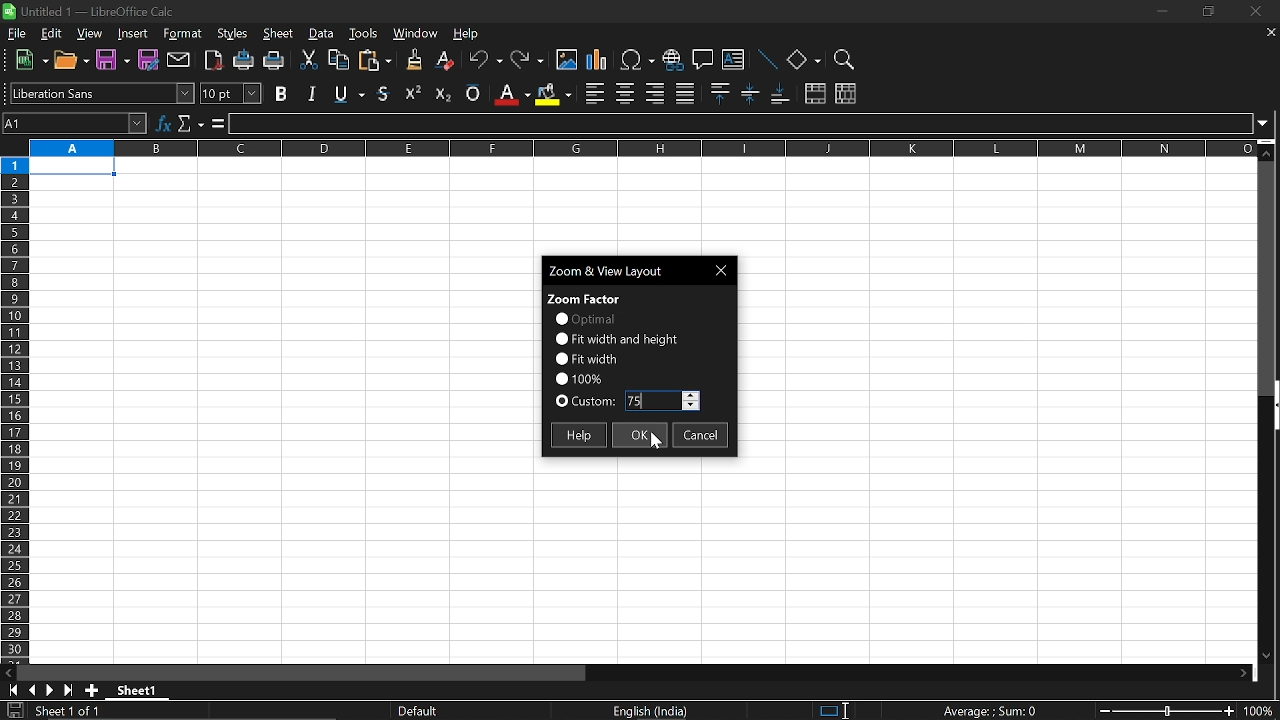 The height and width of the screenshot is (720, 1280). Describe the element at coordinates (845, 93) in the screenshot. I see `unmerge cells` at that location.